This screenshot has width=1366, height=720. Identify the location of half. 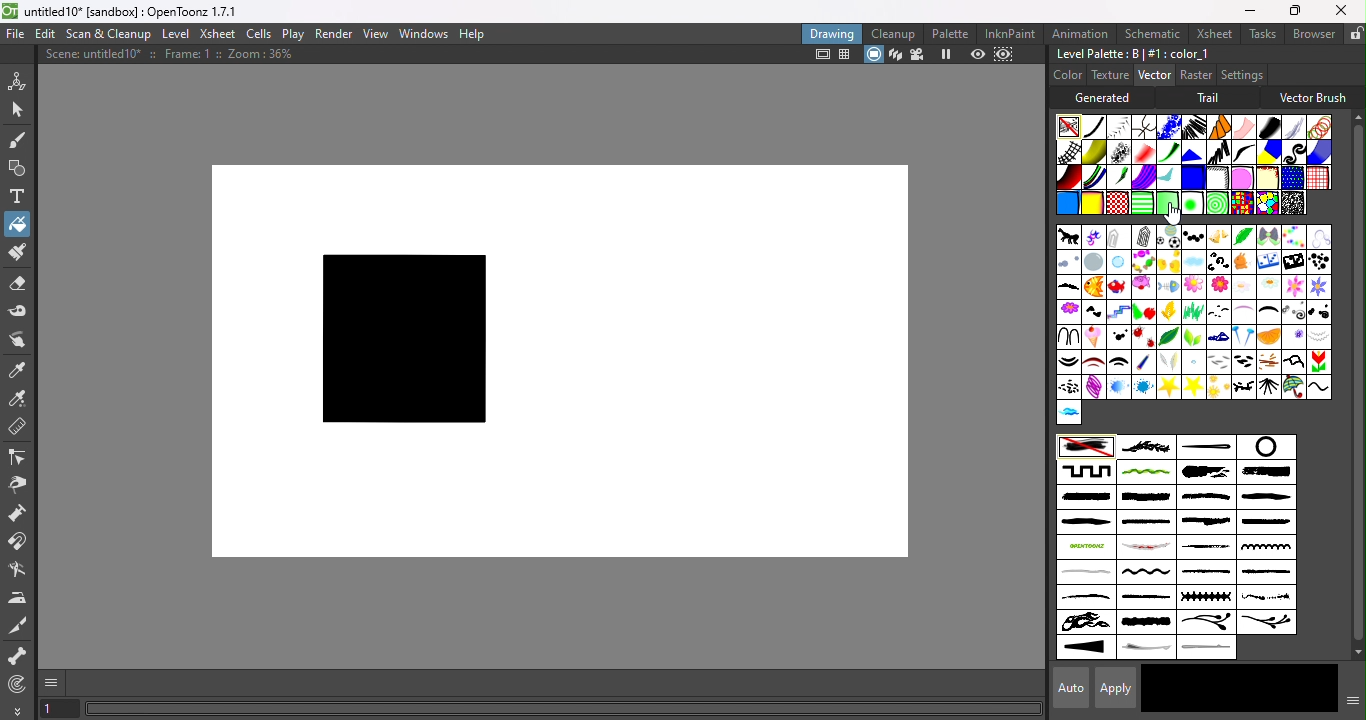
(1242, 312).